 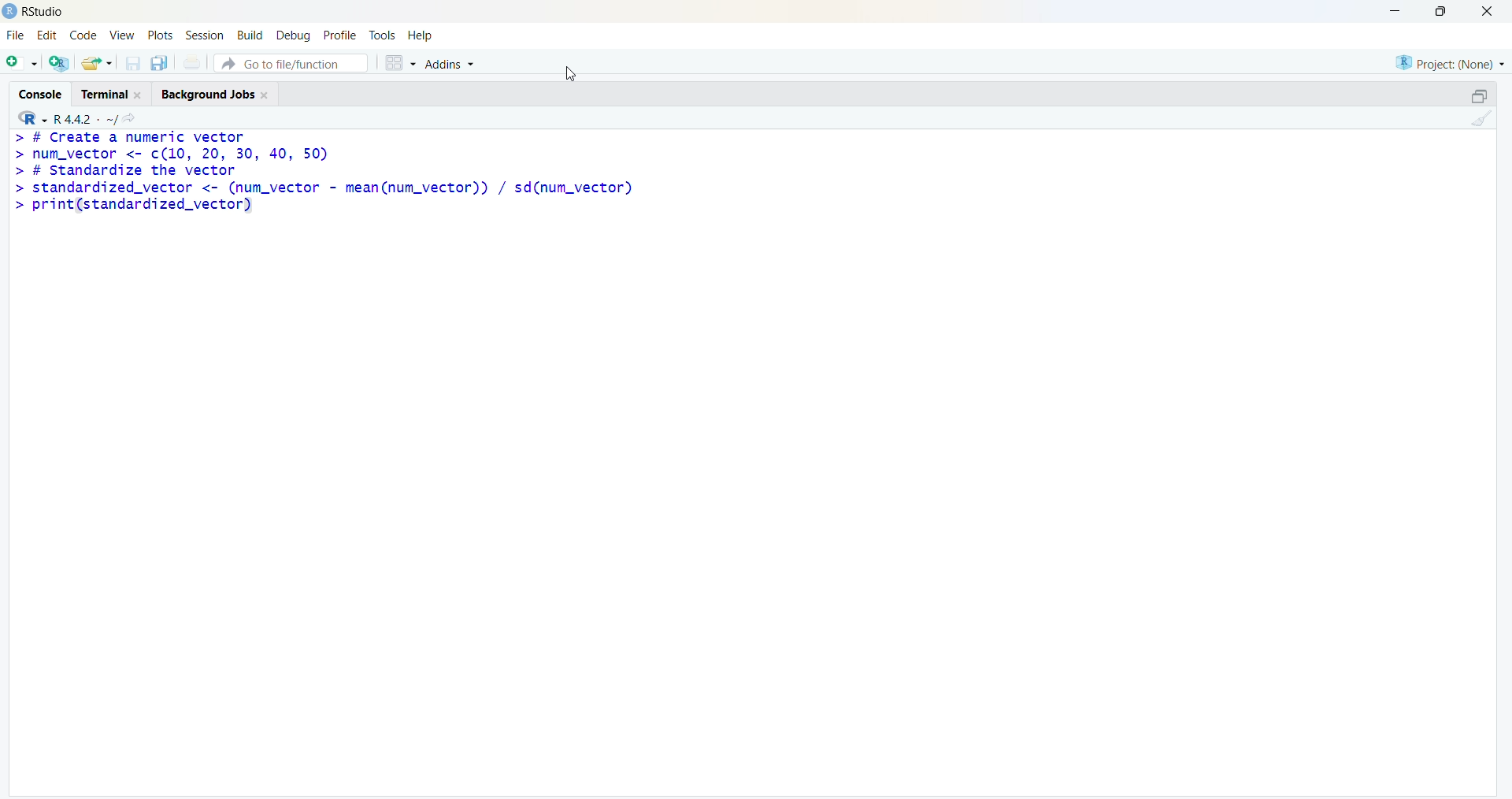 I want to click on console, so click(x=41, y=95).